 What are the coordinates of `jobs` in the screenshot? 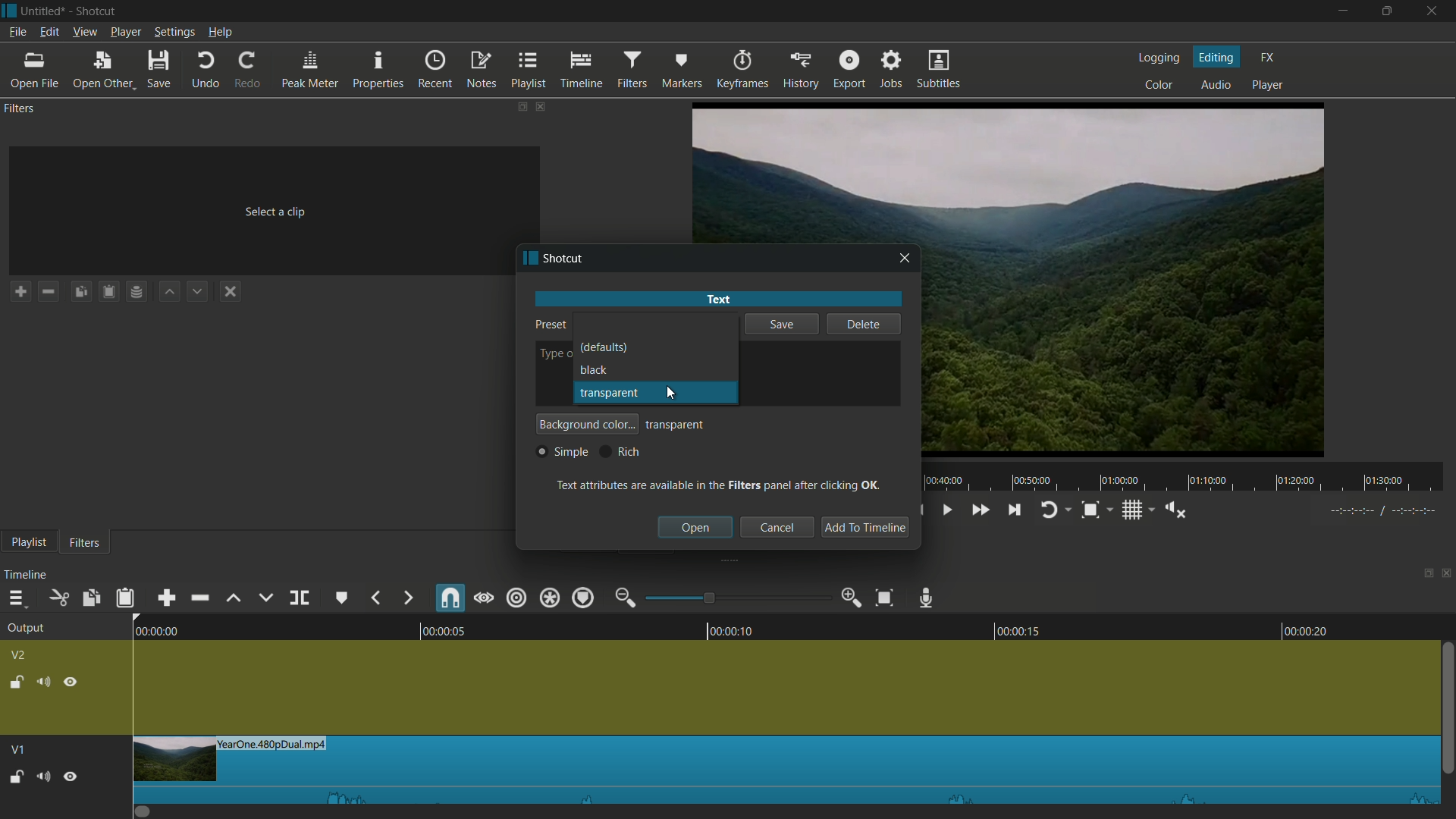 It's located at (893, 71).